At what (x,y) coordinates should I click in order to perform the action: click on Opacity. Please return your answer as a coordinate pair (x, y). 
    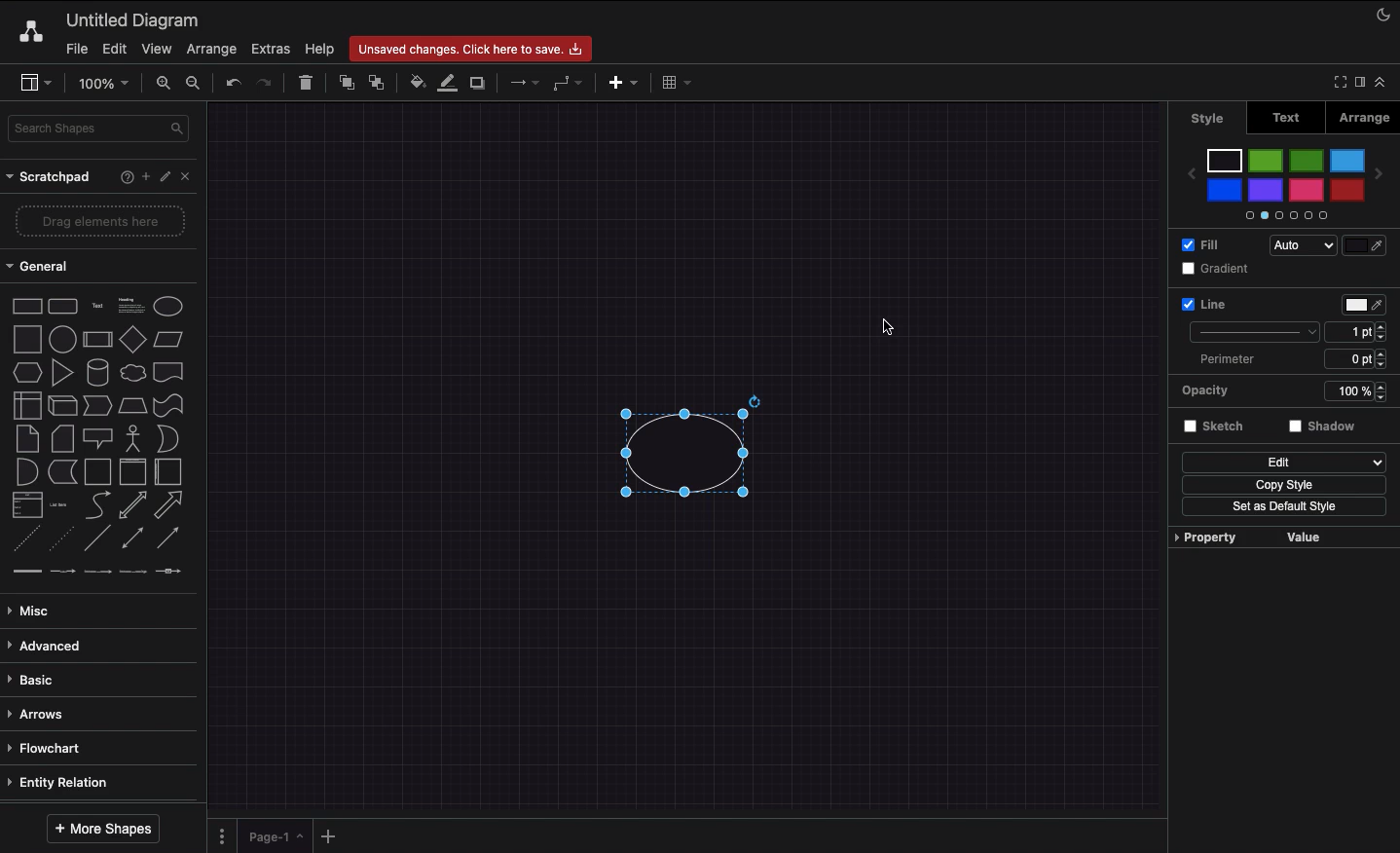
    Looking at the image, I should click on (1221, 391).